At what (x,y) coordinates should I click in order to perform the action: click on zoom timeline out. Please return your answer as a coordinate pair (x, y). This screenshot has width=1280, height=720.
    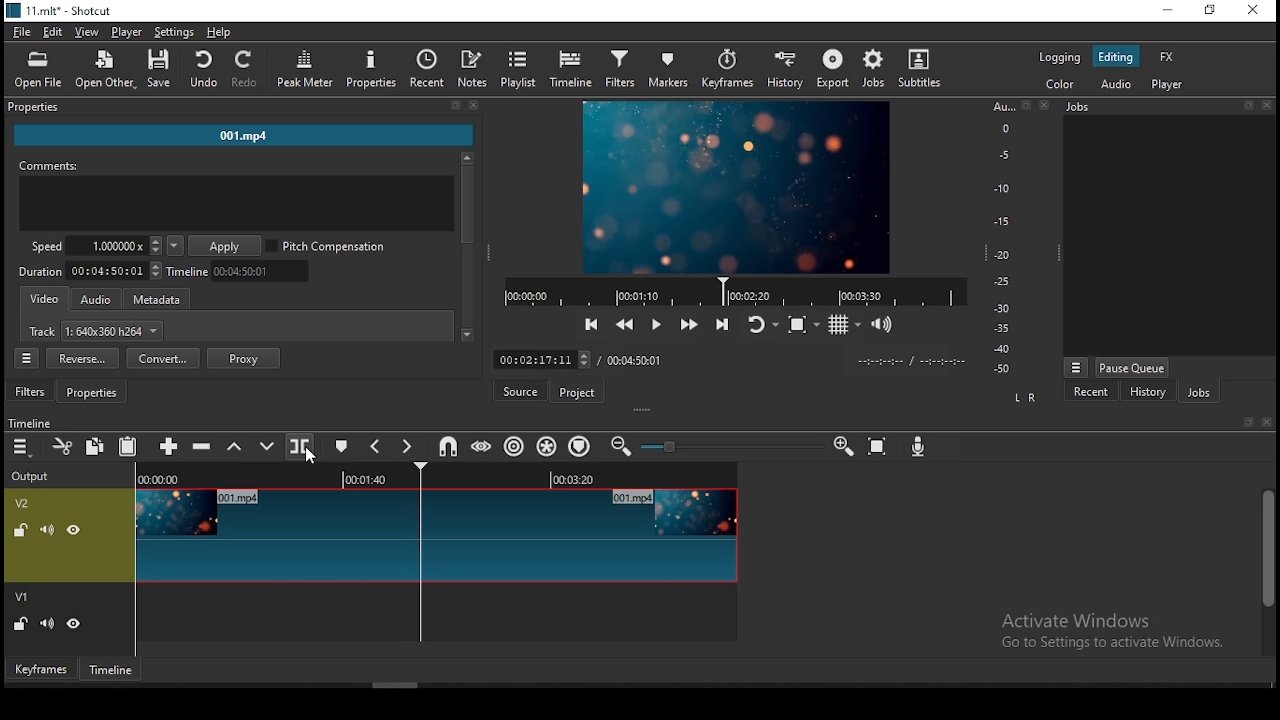
    Looking at the image, I should click on (620, 446).